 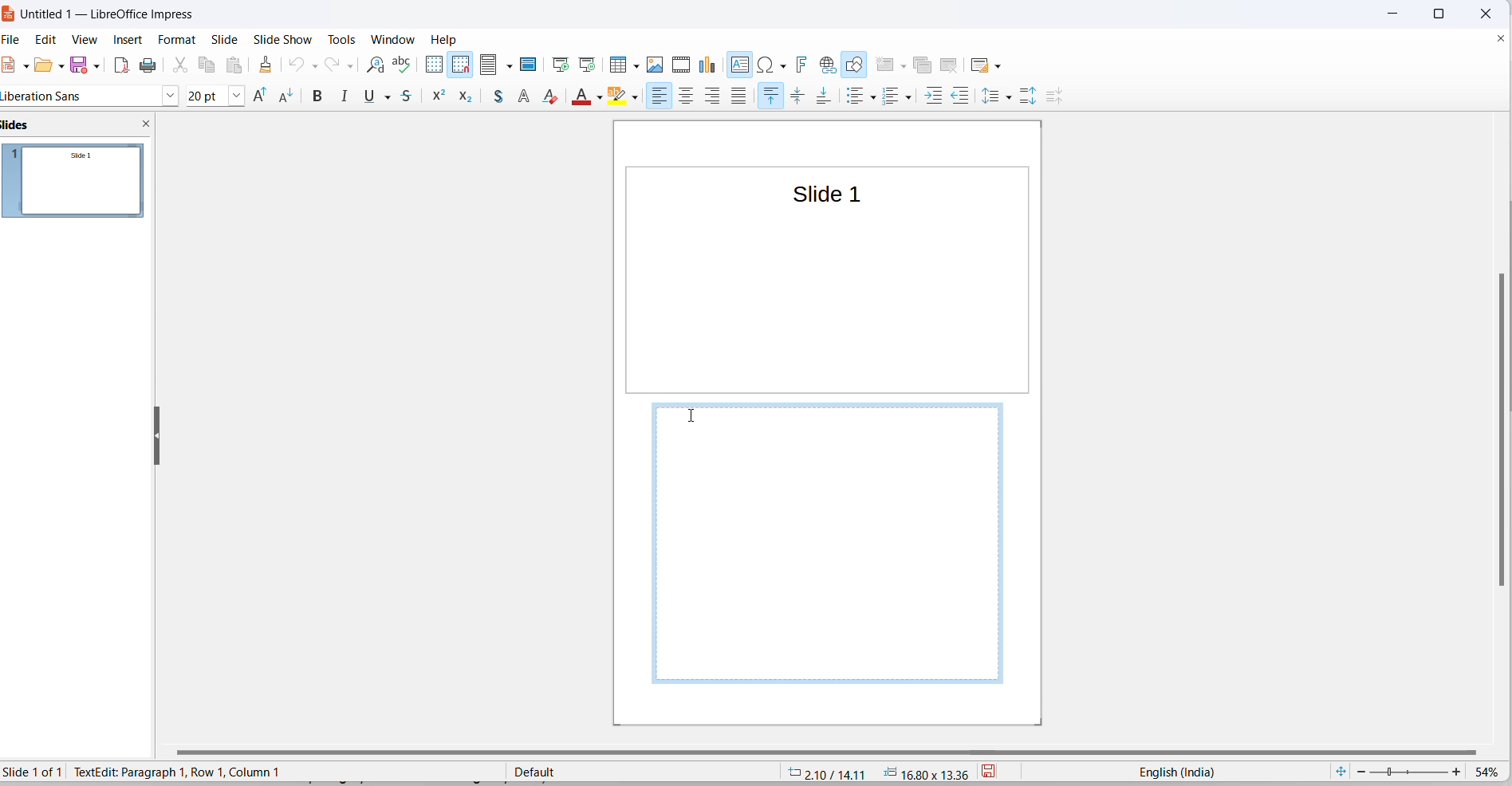 I want to click on close, so click(x=1482, y=12).